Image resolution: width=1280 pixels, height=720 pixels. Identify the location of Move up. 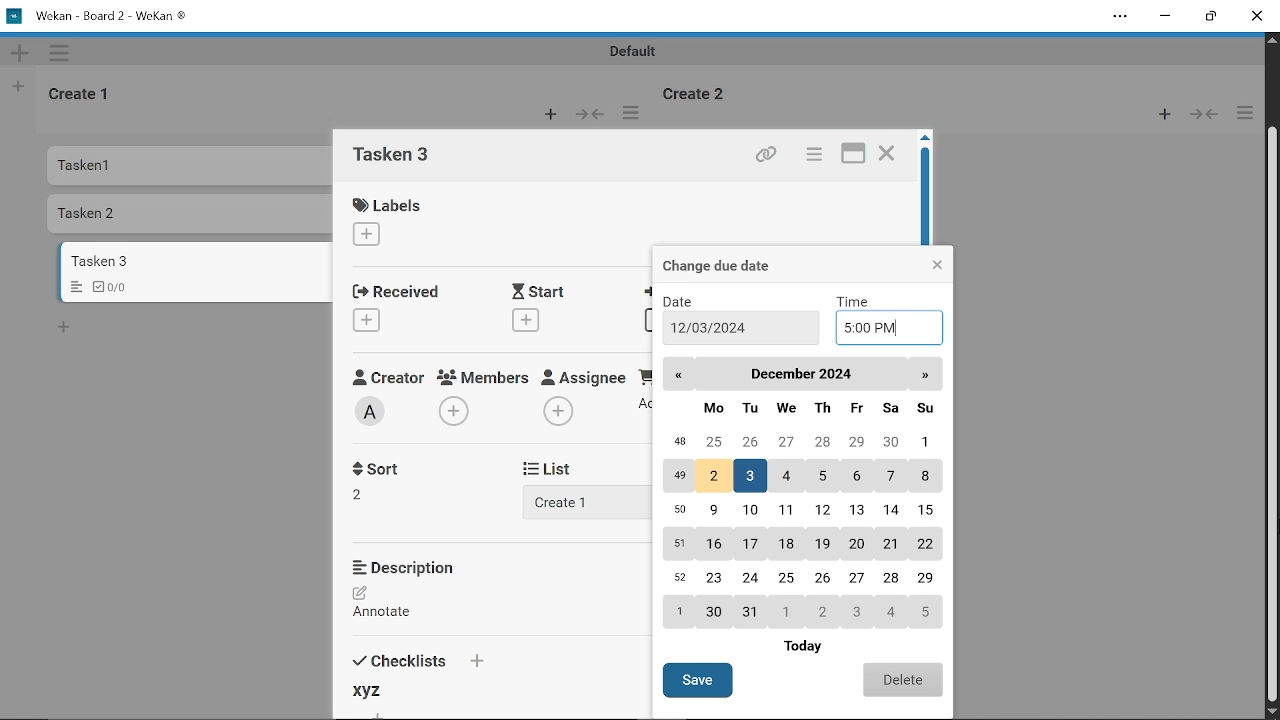
(1272, 40).